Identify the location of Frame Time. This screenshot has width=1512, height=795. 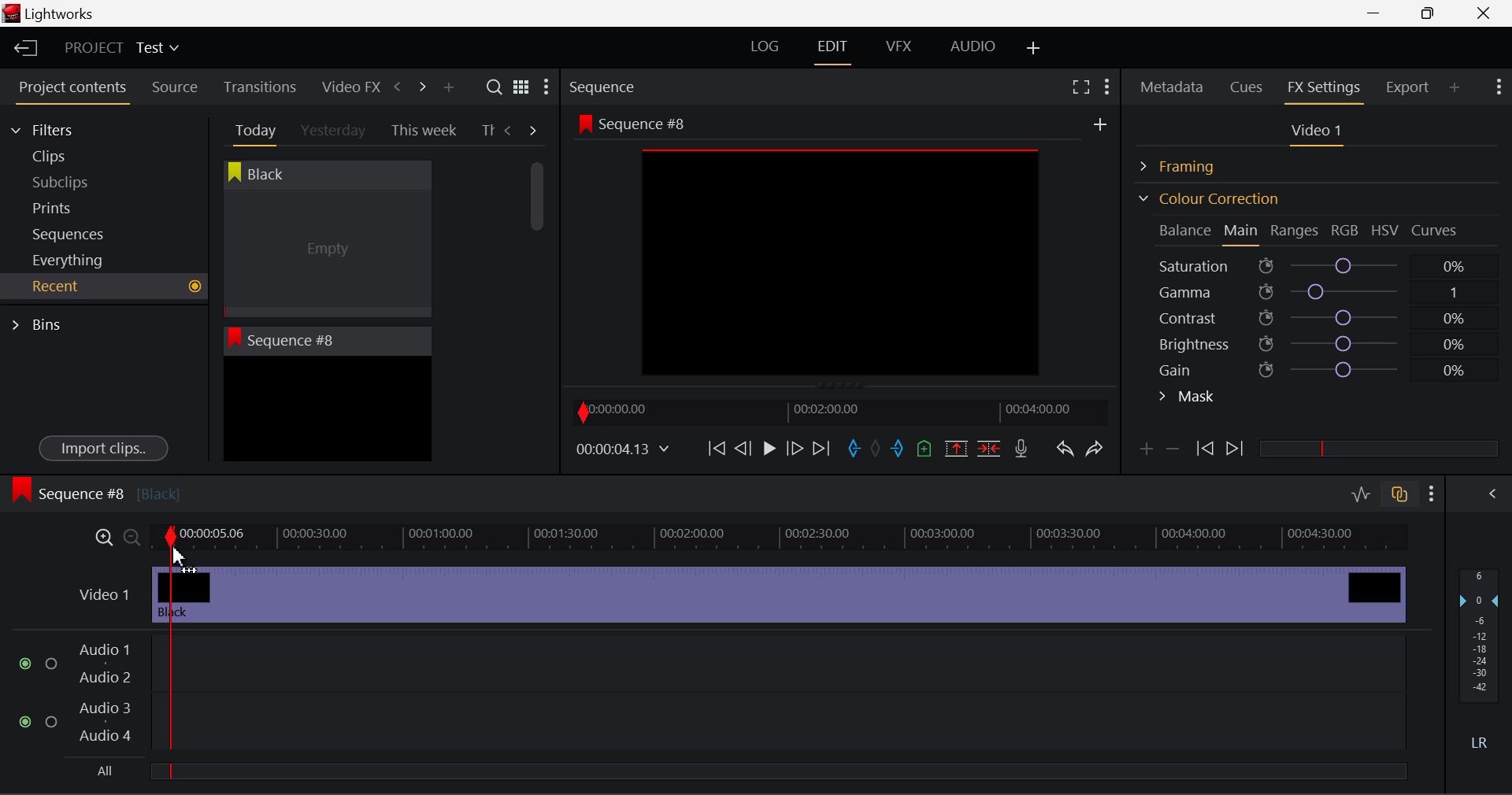
(624, 450).